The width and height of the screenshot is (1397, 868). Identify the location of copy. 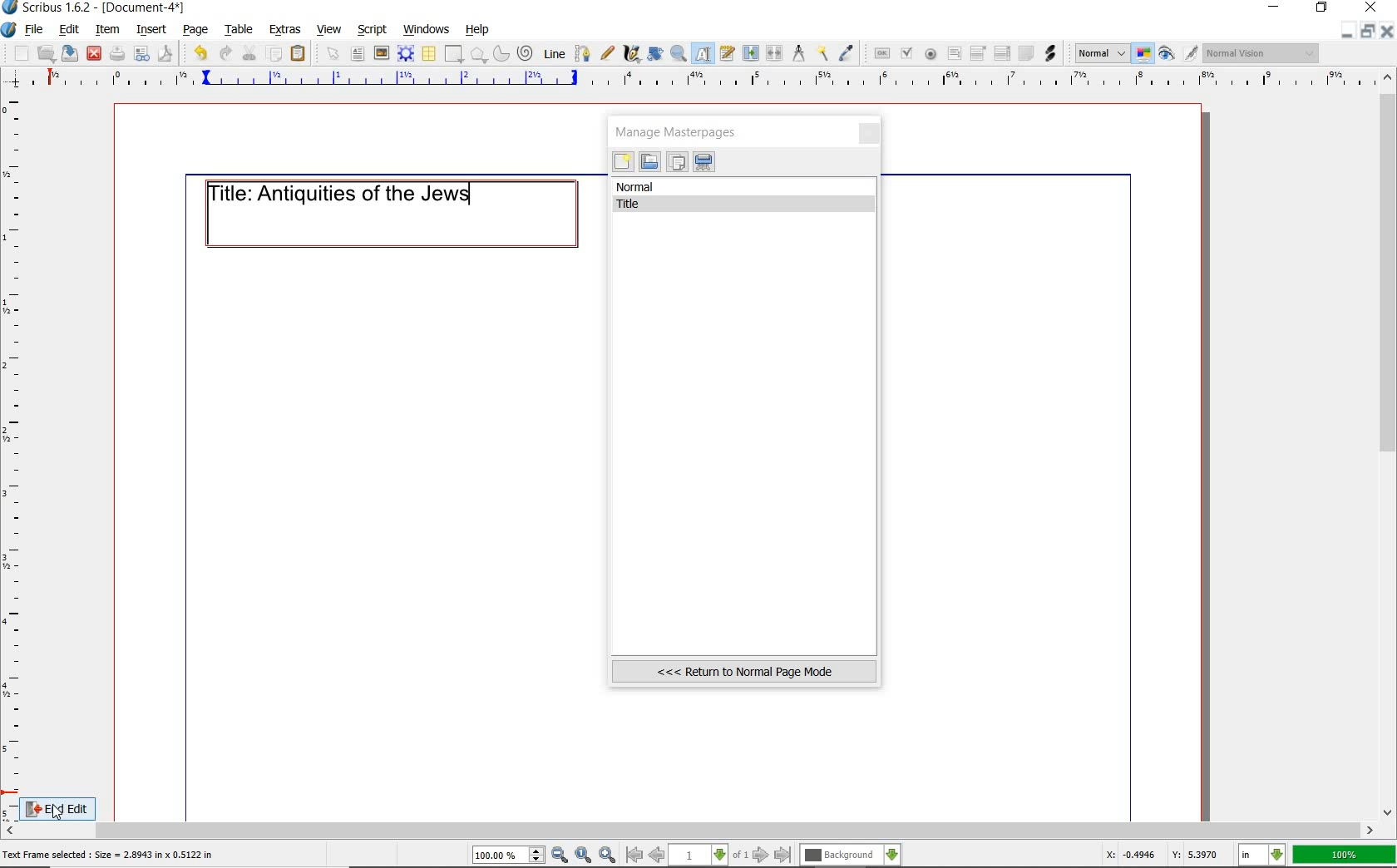
(274, 52).